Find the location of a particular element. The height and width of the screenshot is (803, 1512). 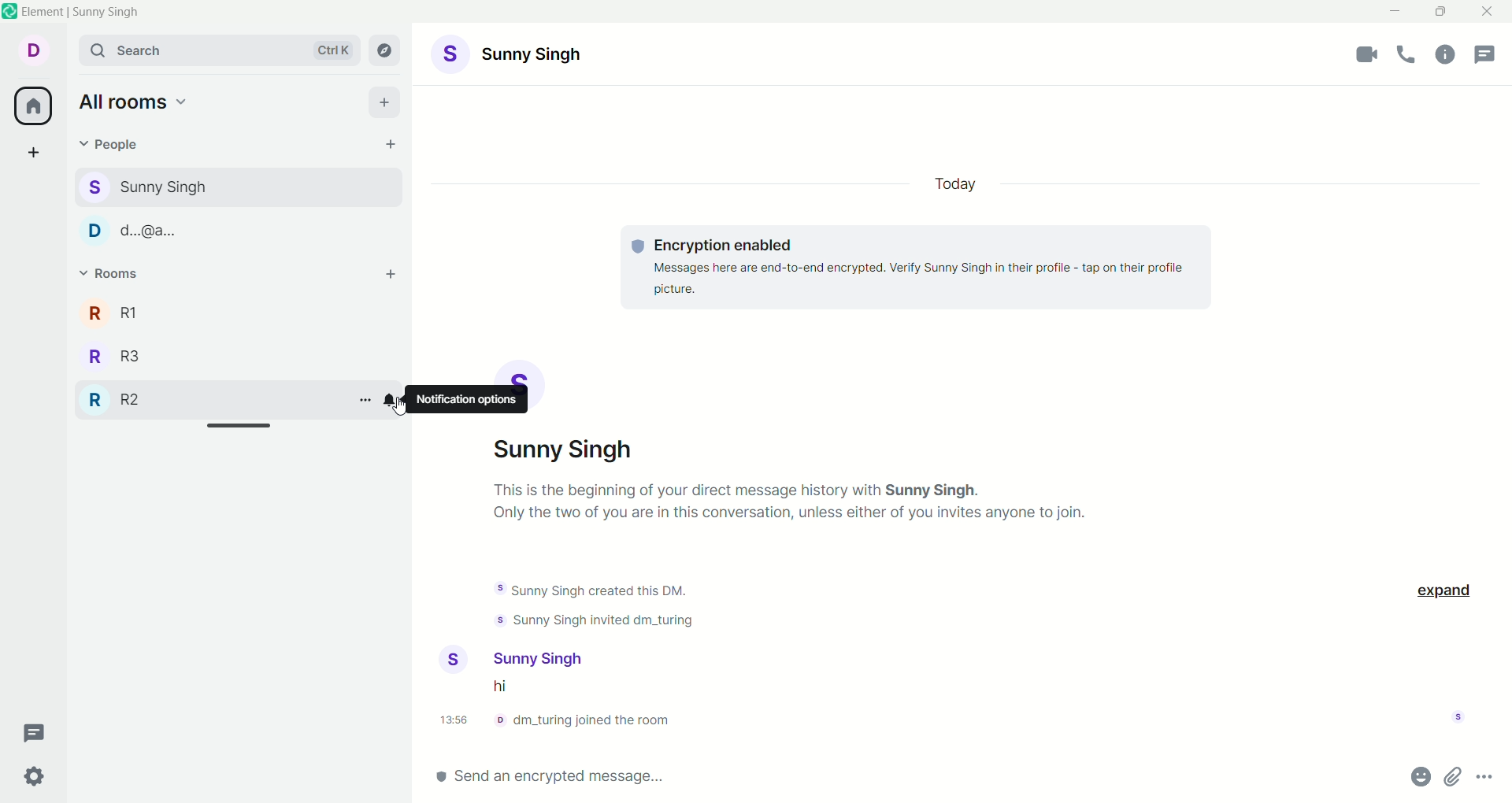

rooms is located at coordinates (111, 275).